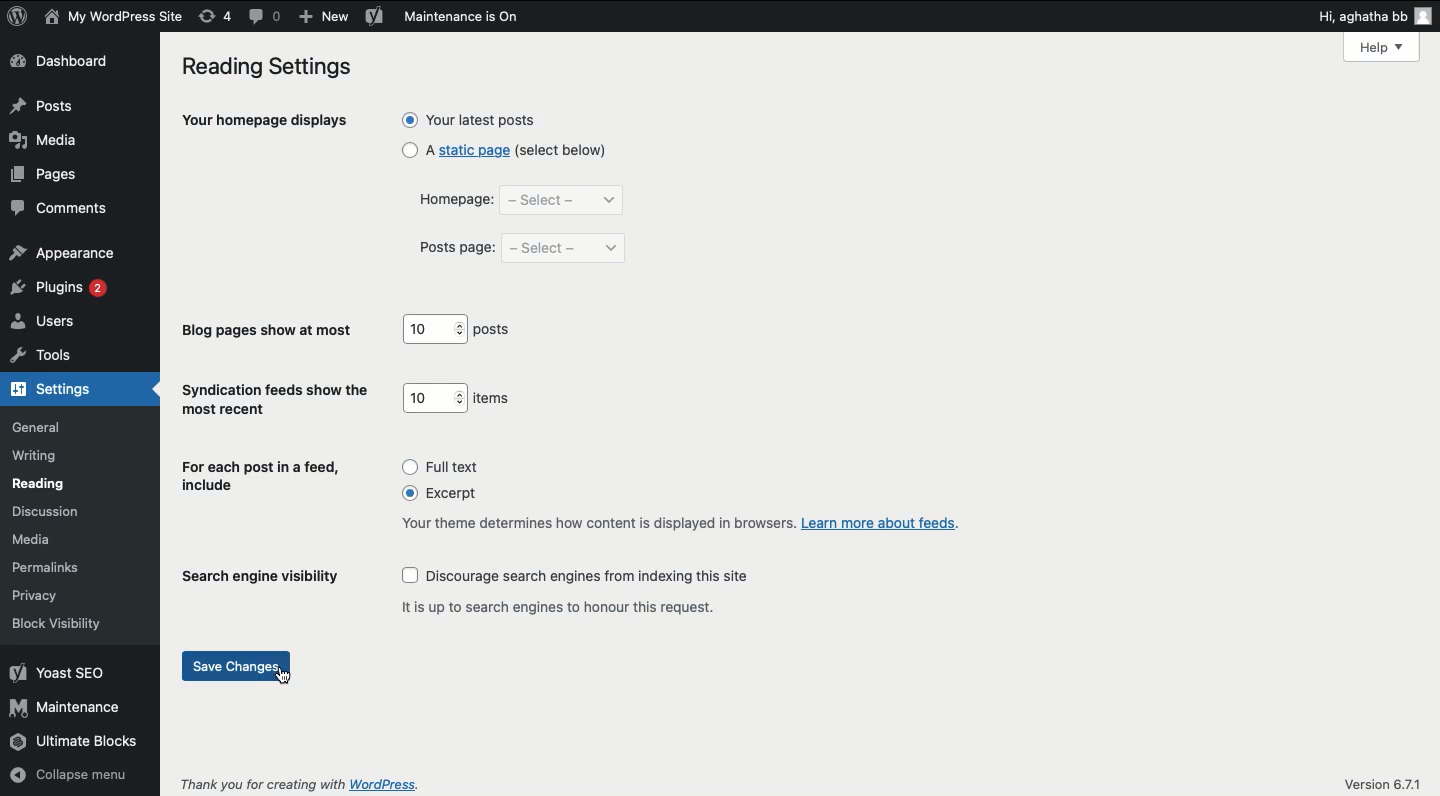  I want to click on discussion, so click(43, 511).